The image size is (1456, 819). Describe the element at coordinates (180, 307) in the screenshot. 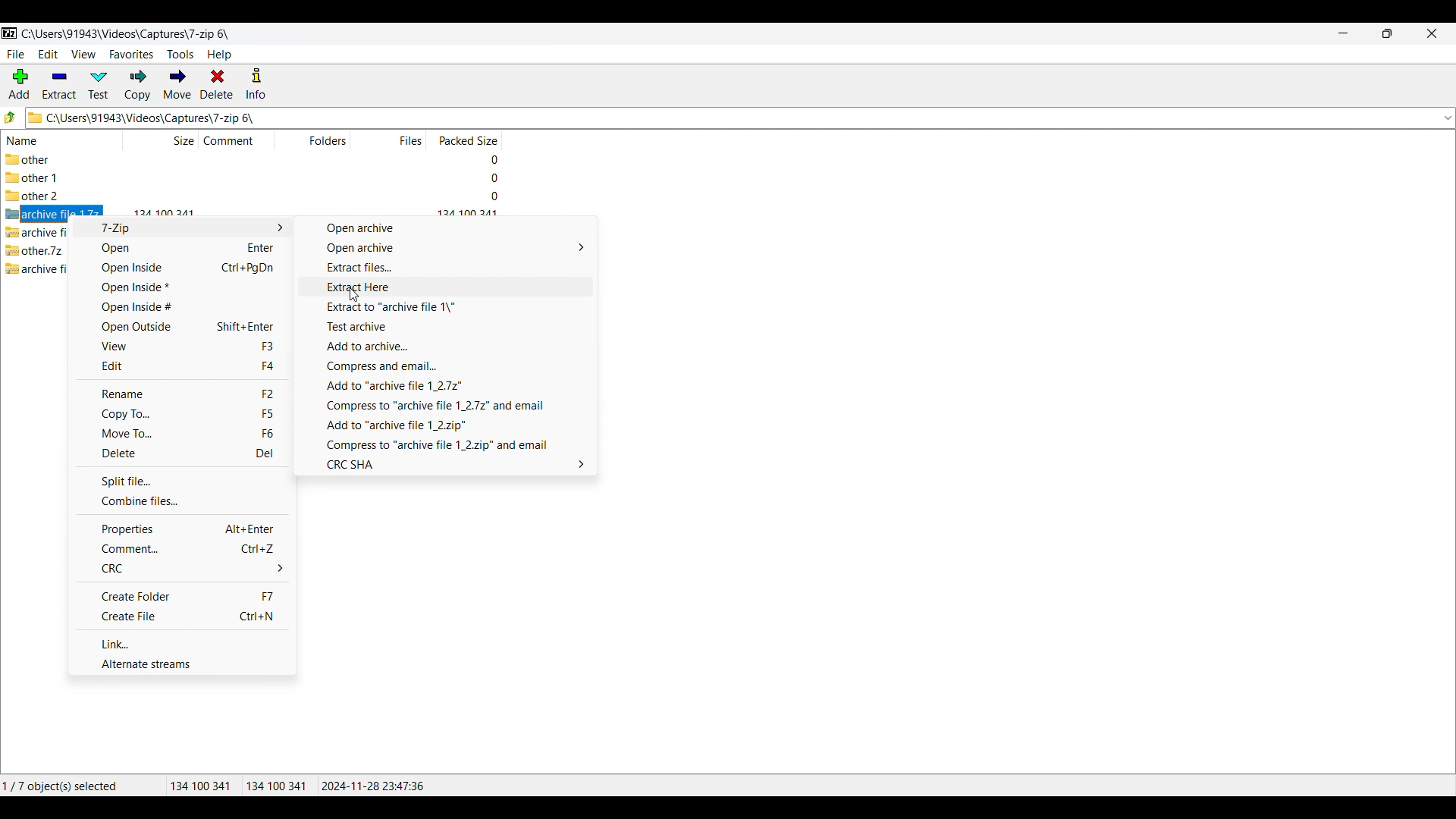

I see `Open inside#` at that location.